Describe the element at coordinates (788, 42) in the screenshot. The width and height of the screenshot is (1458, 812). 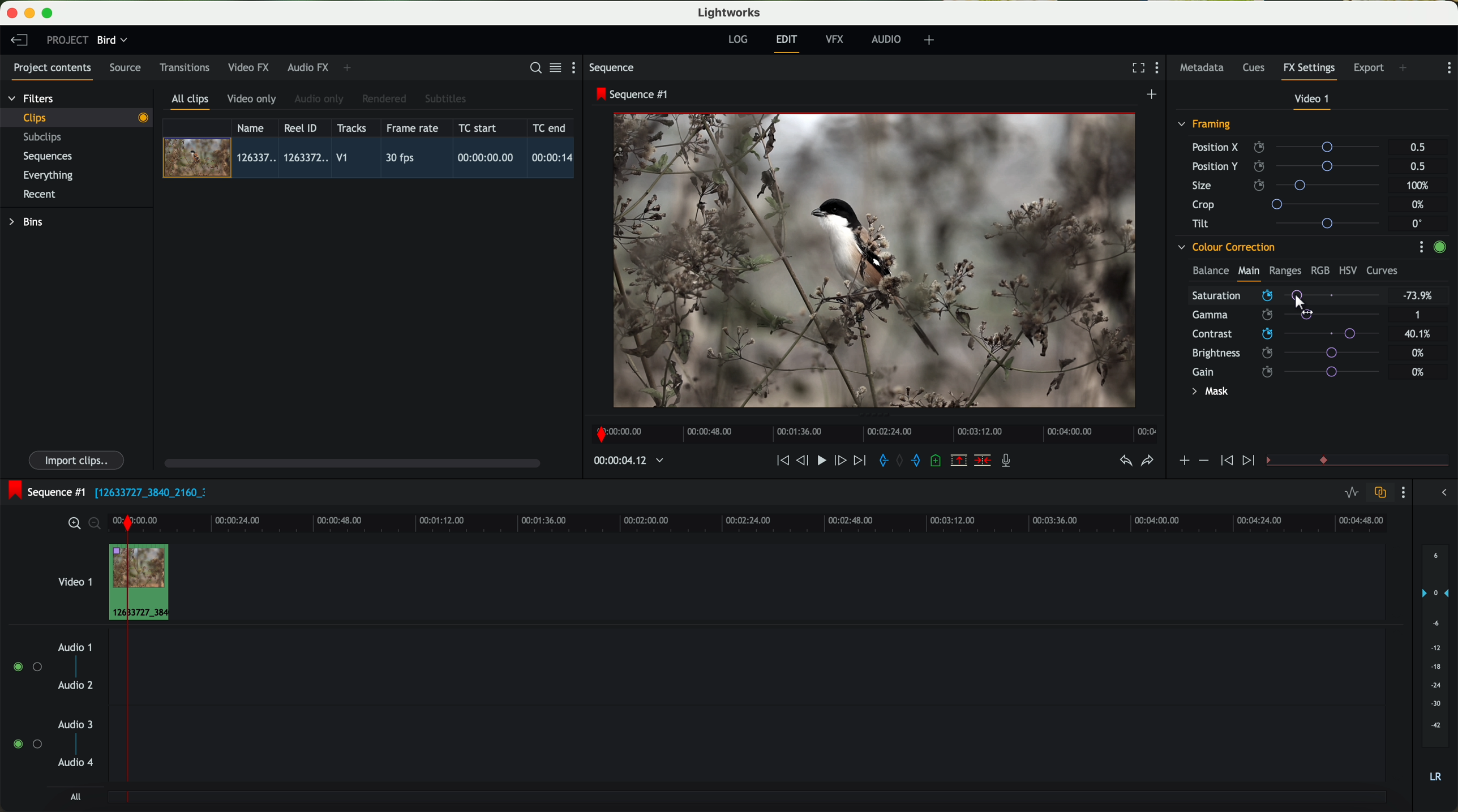
I see `edit` at that location.